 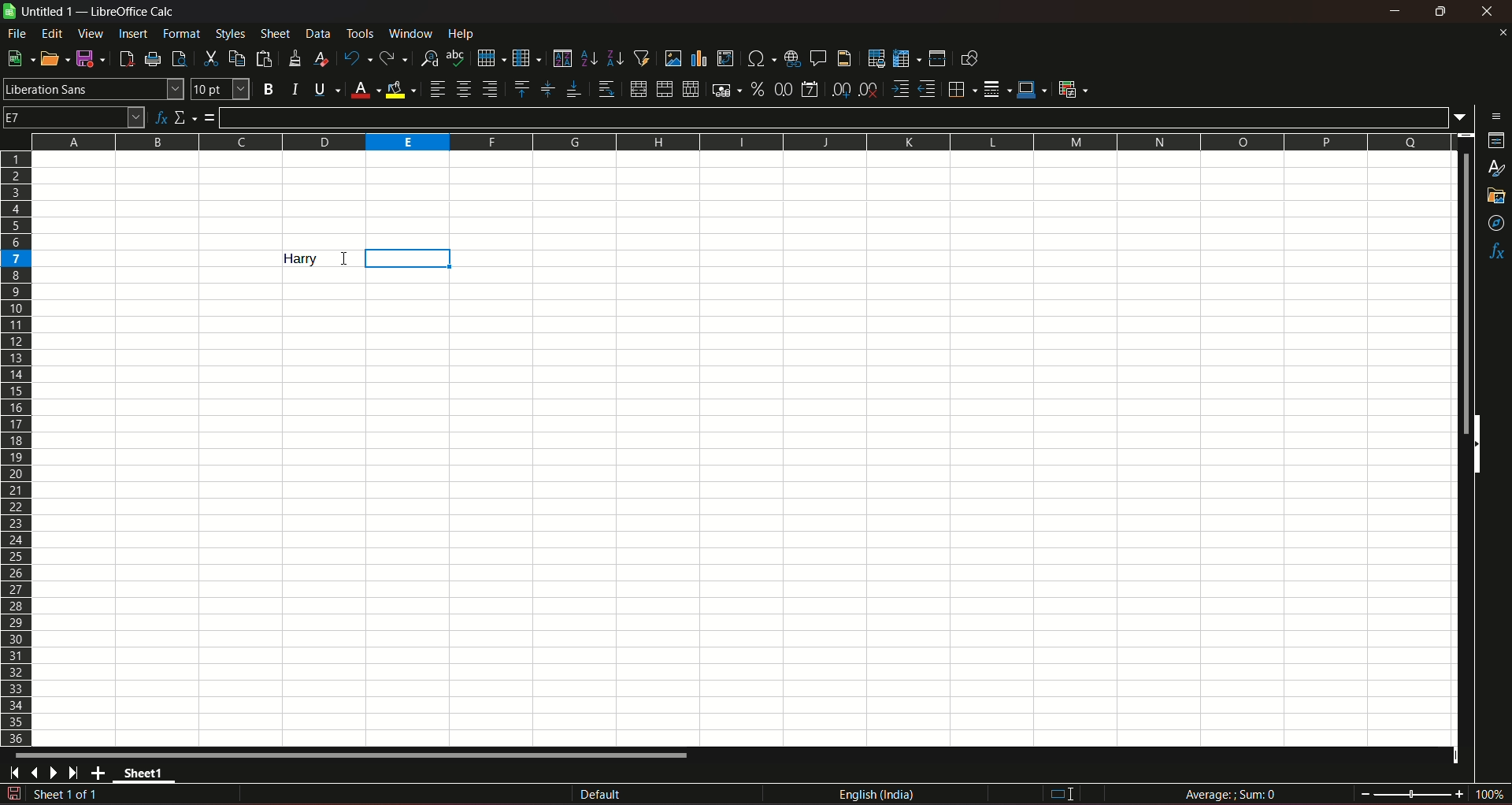 I want to click on border styles, so click(x=995, y=90).